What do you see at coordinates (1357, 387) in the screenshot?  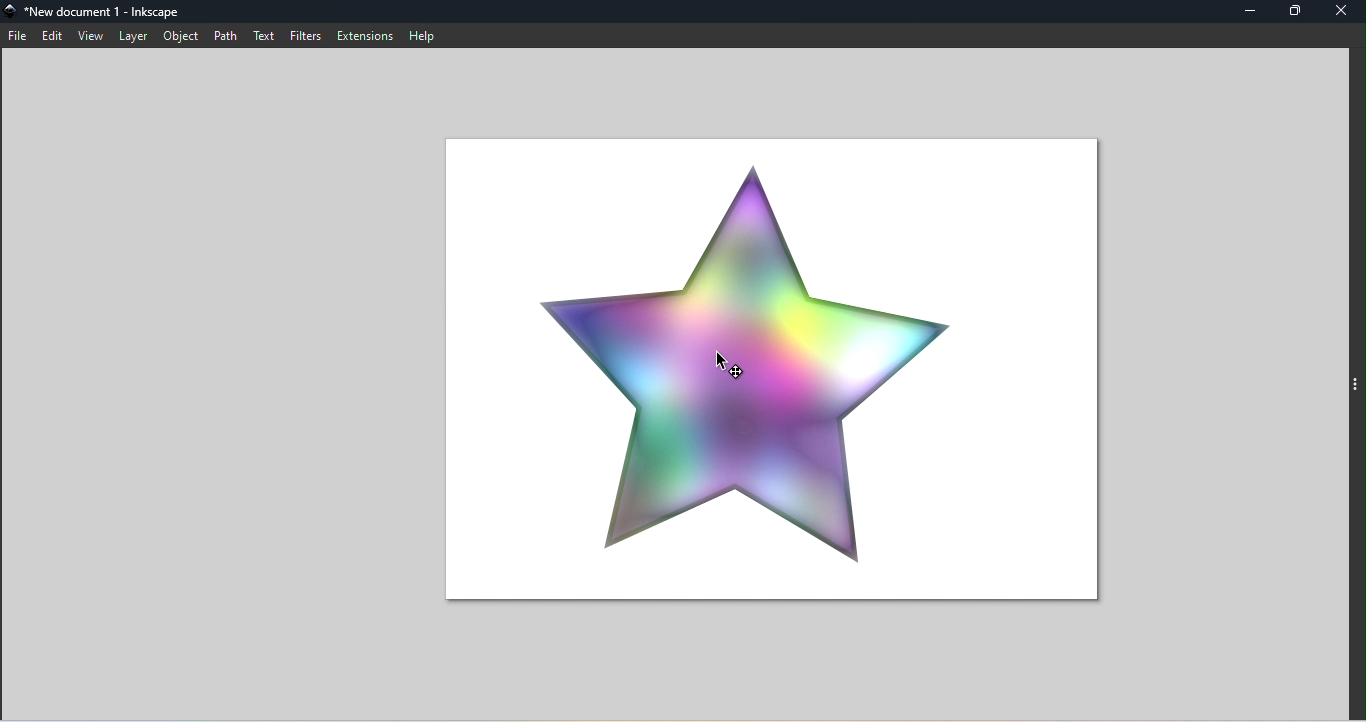 I see `Toggle command panel` at bounding box center [1357, 387].